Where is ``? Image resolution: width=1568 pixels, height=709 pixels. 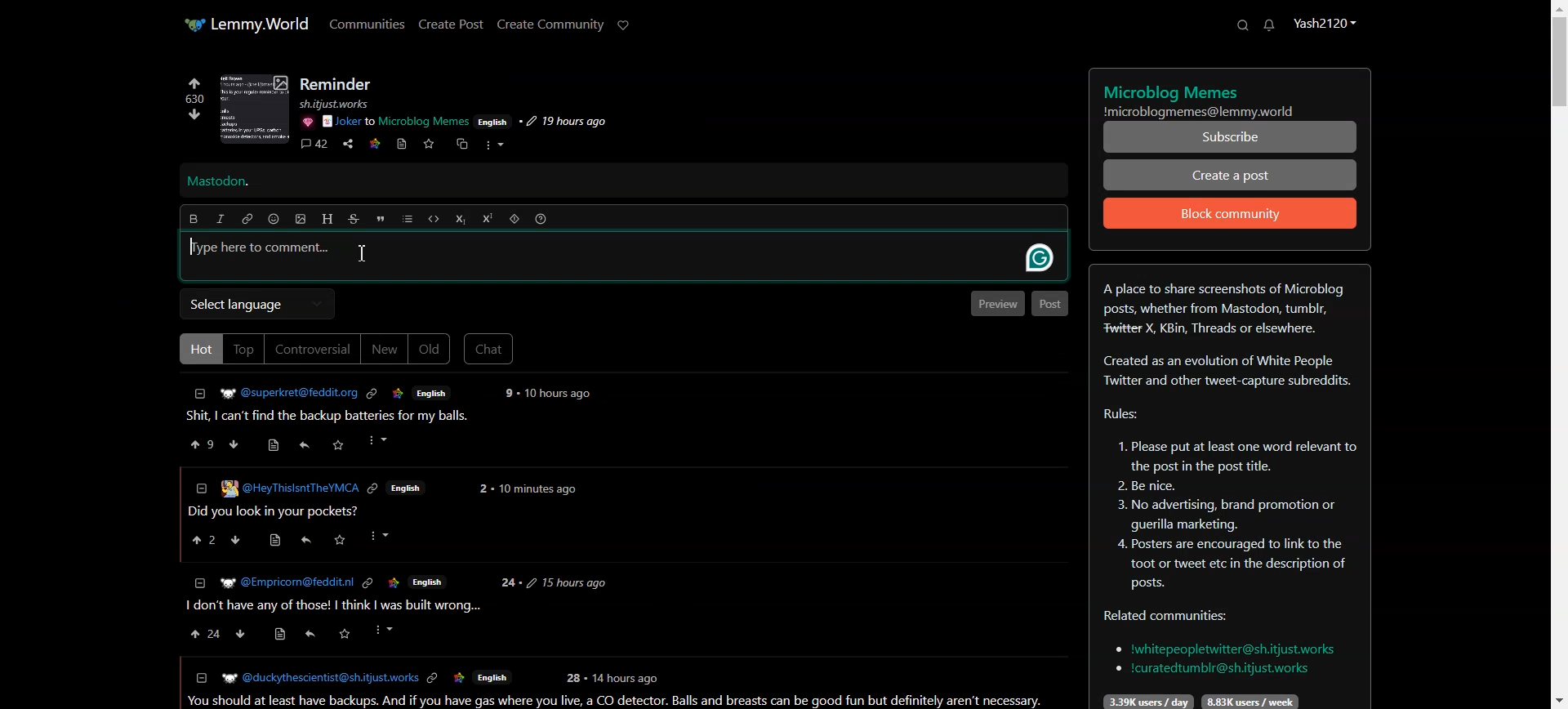  is located at coordinates (306, 122).